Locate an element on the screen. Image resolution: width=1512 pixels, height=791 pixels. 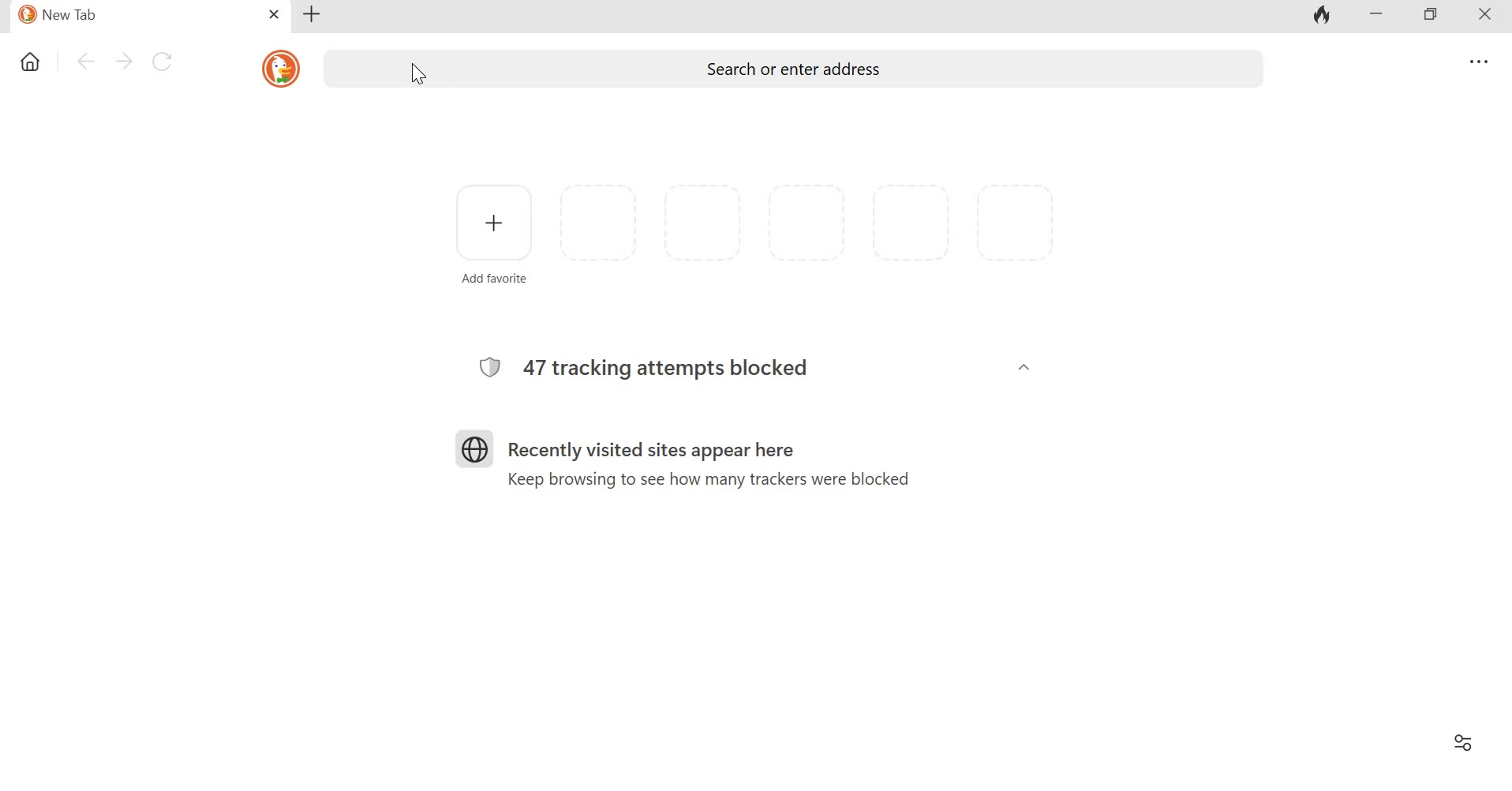
Filter settings is located at coordinates (1465, 742).